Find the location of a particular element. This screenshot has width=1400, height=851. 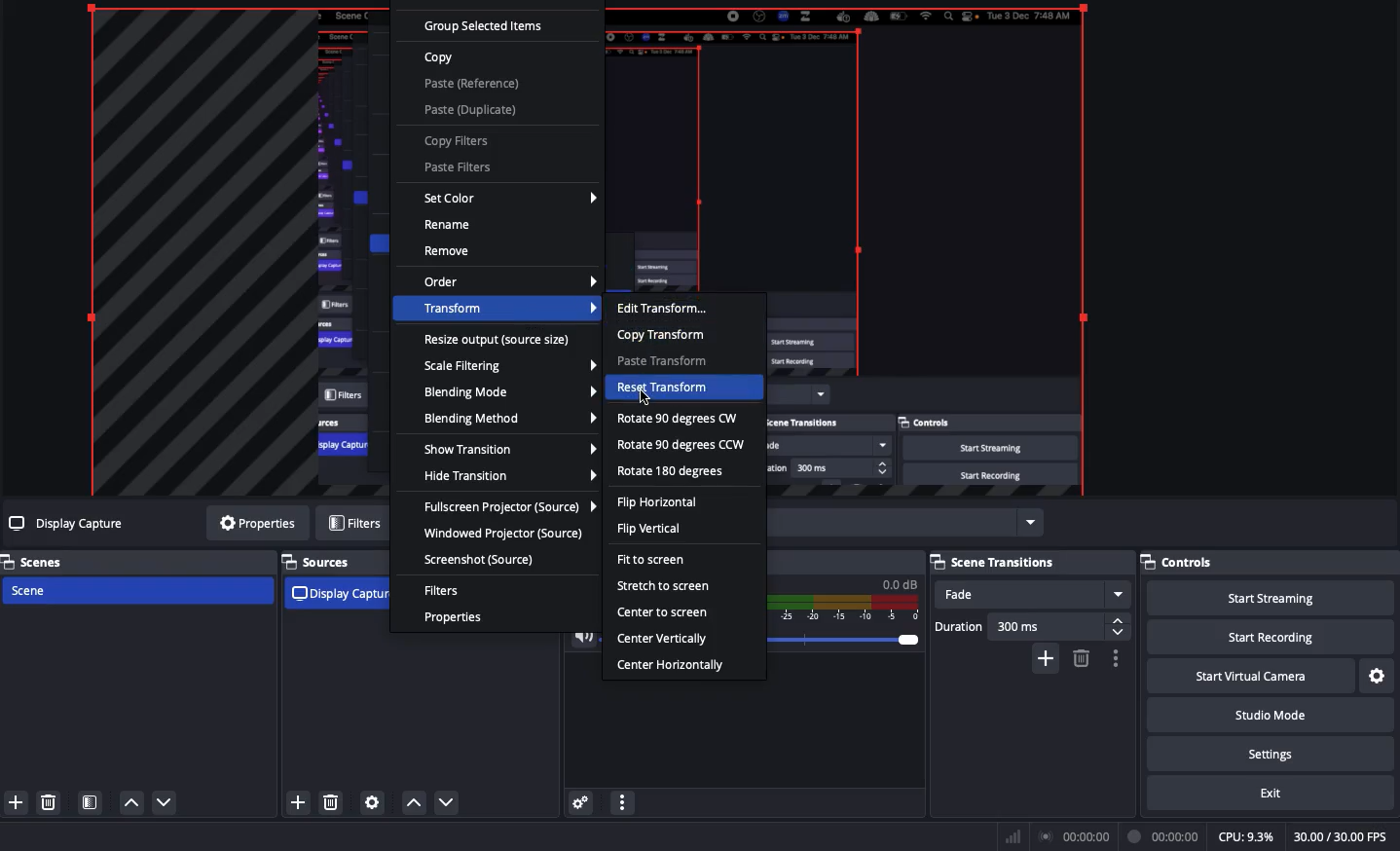

Studio mode is located at coordinates (1270, 715).